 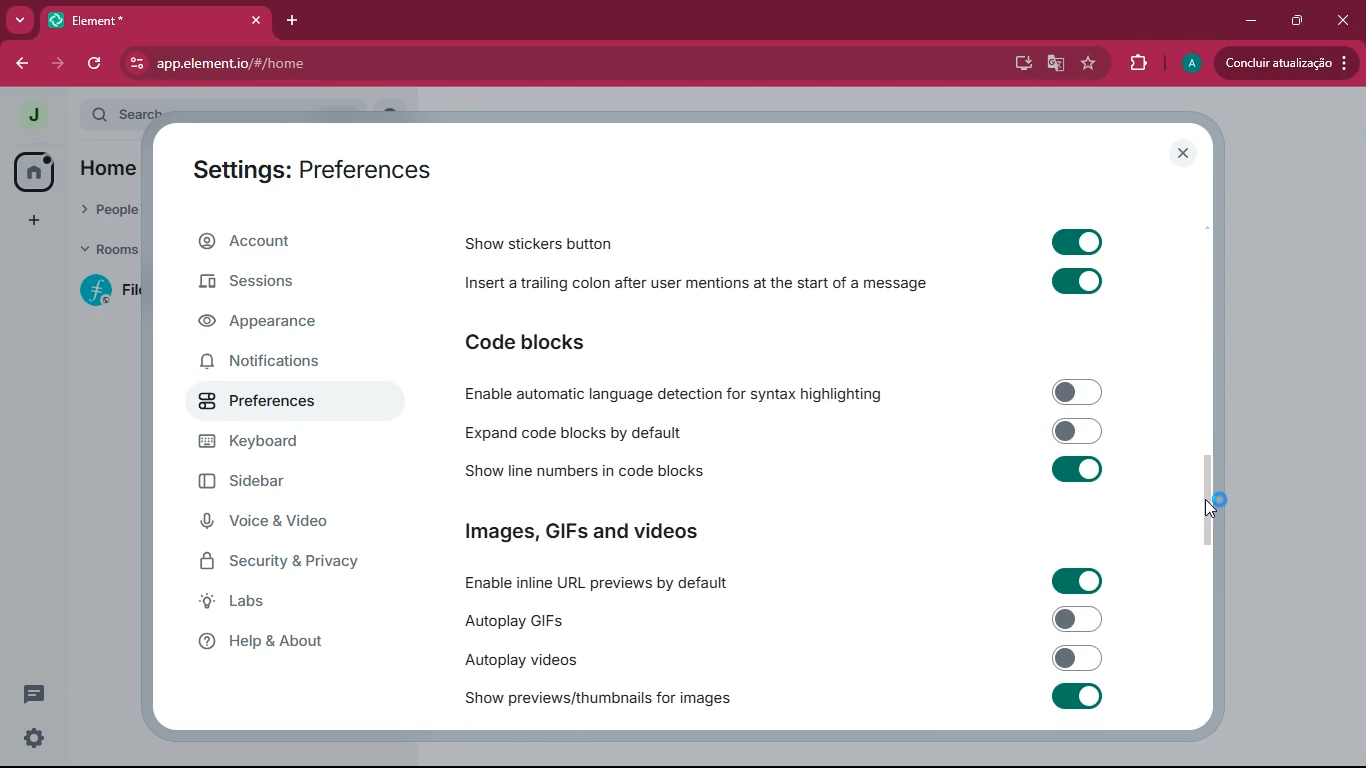 I want to click on Enable automatic language detection for syntax highlighting, so click(x=672, y=392).